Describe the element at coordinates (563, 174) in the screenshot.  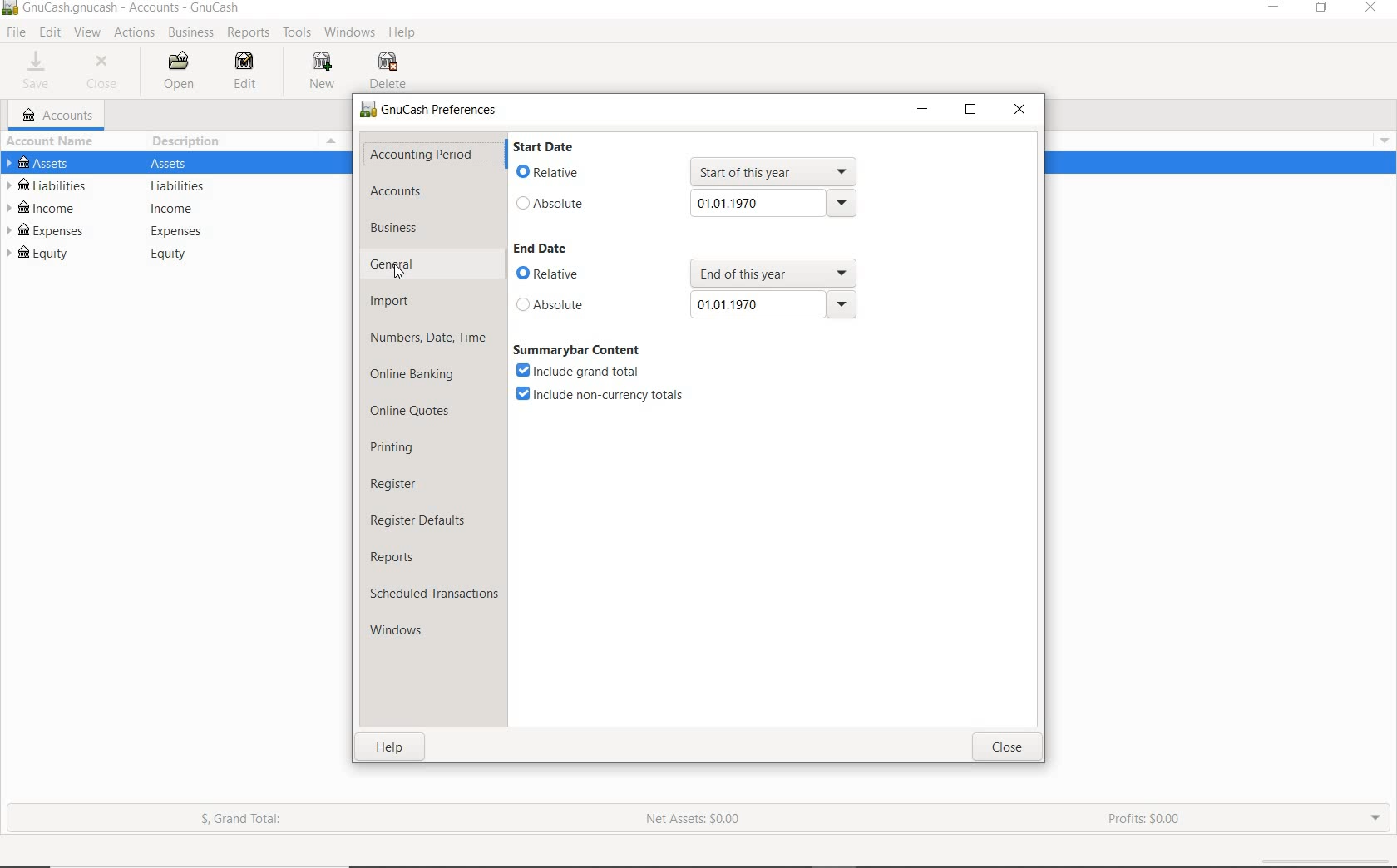
I see `RELATIVE` at that location.